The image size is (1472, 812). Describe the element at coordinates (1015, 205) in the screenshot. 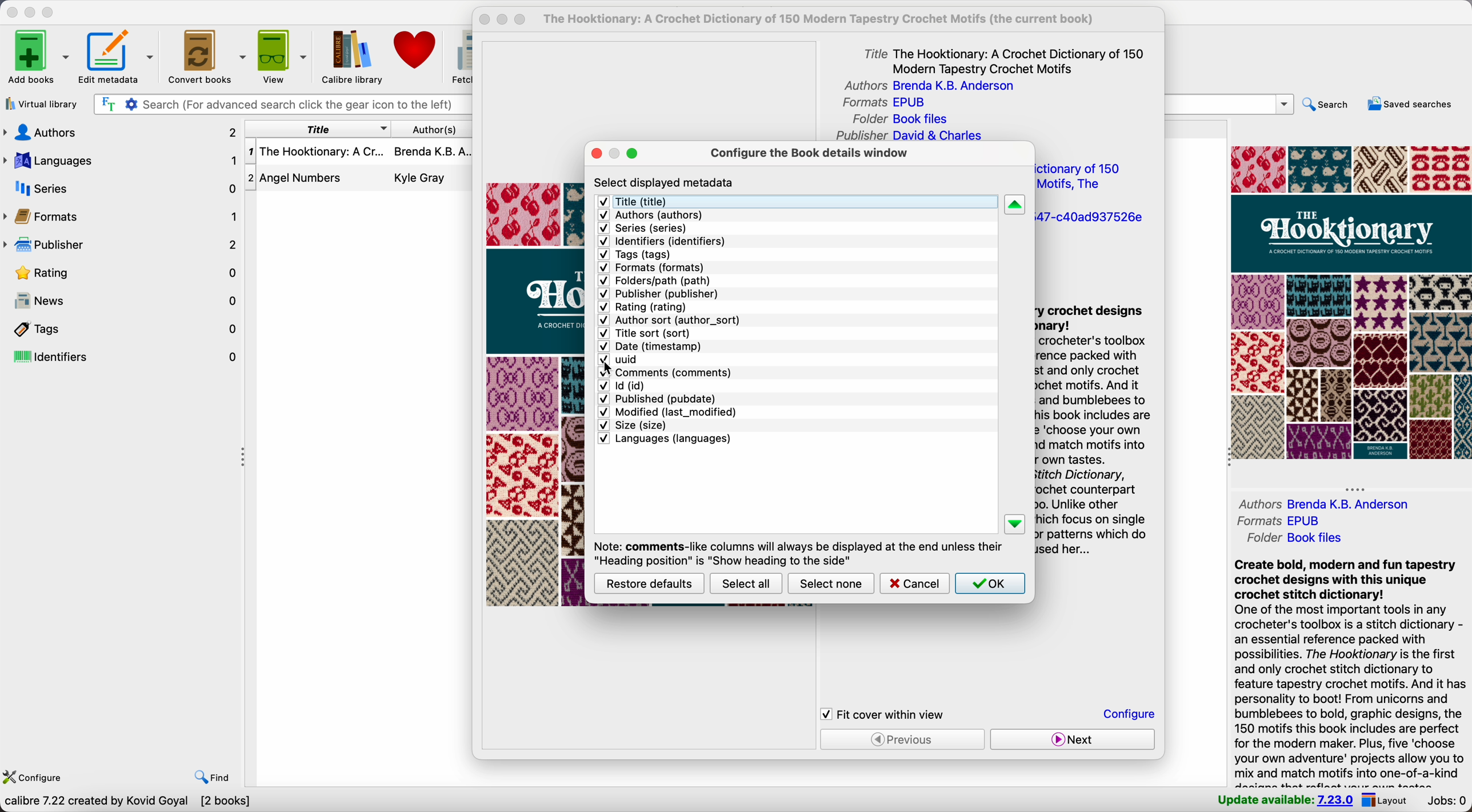

I see `up` at that location.